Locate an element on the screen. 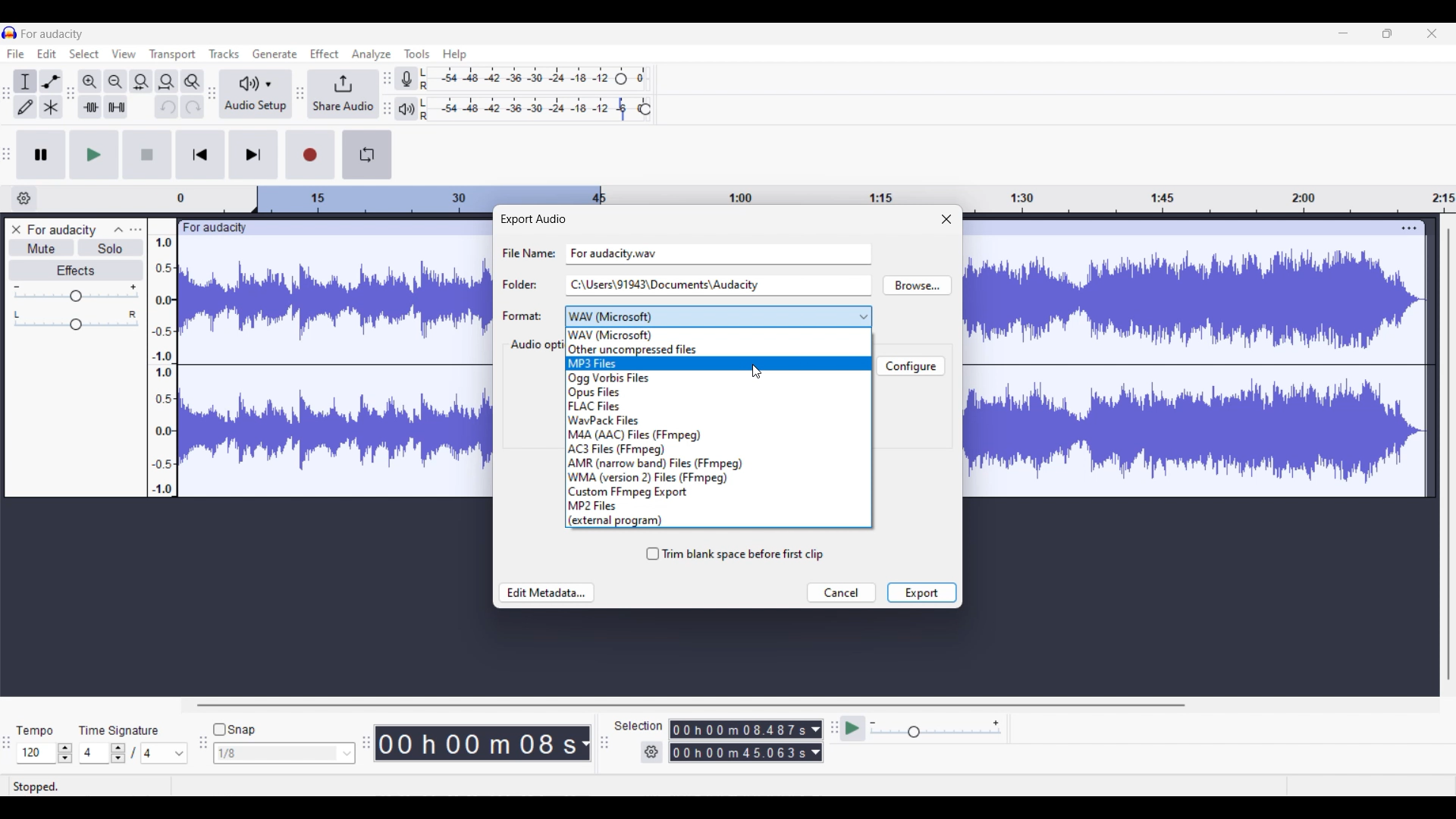  Duration measurement is located at coordinates (816, 730).